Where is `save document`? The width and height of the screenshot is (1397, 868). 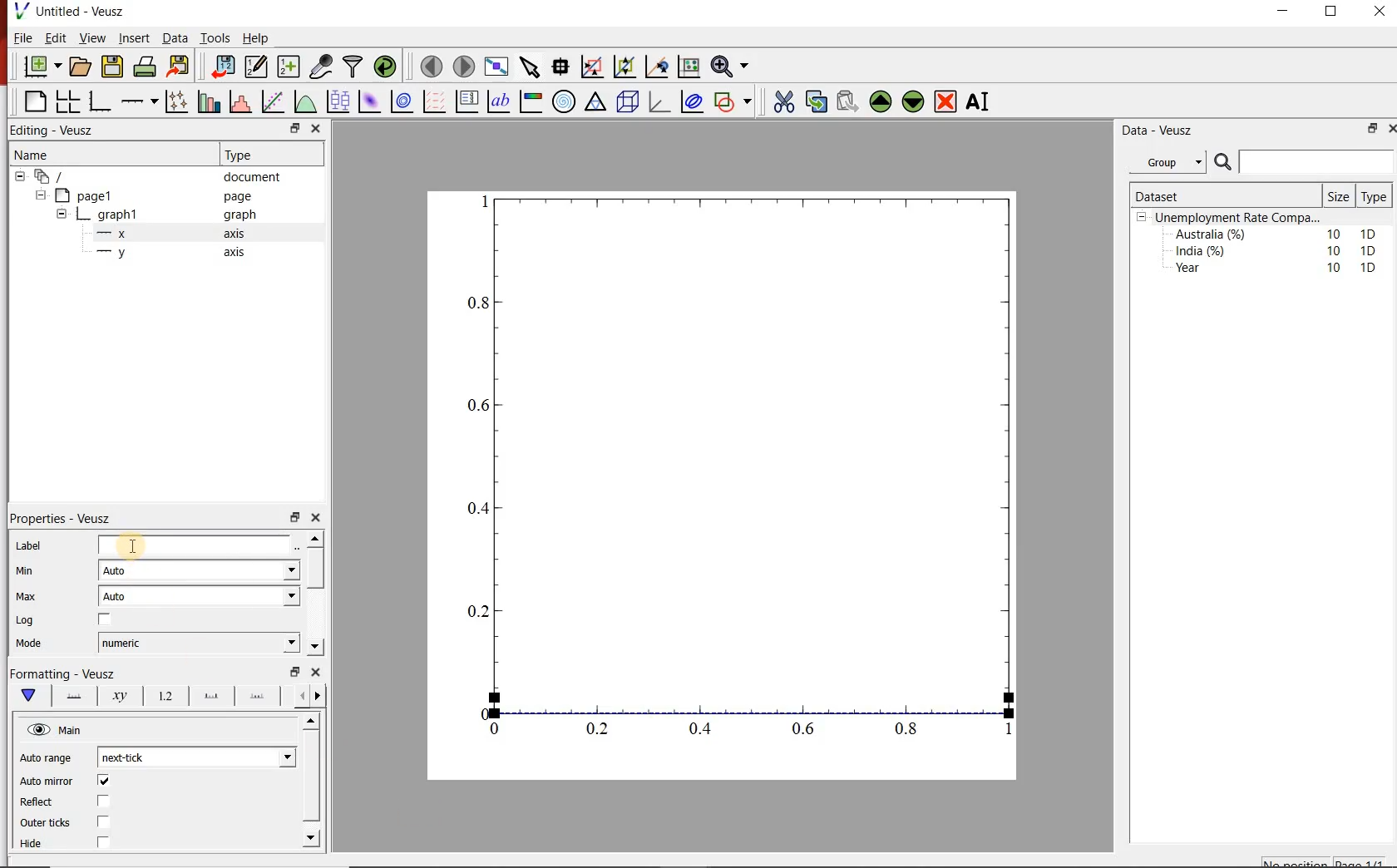 save document is located at coordinates (112, 66).